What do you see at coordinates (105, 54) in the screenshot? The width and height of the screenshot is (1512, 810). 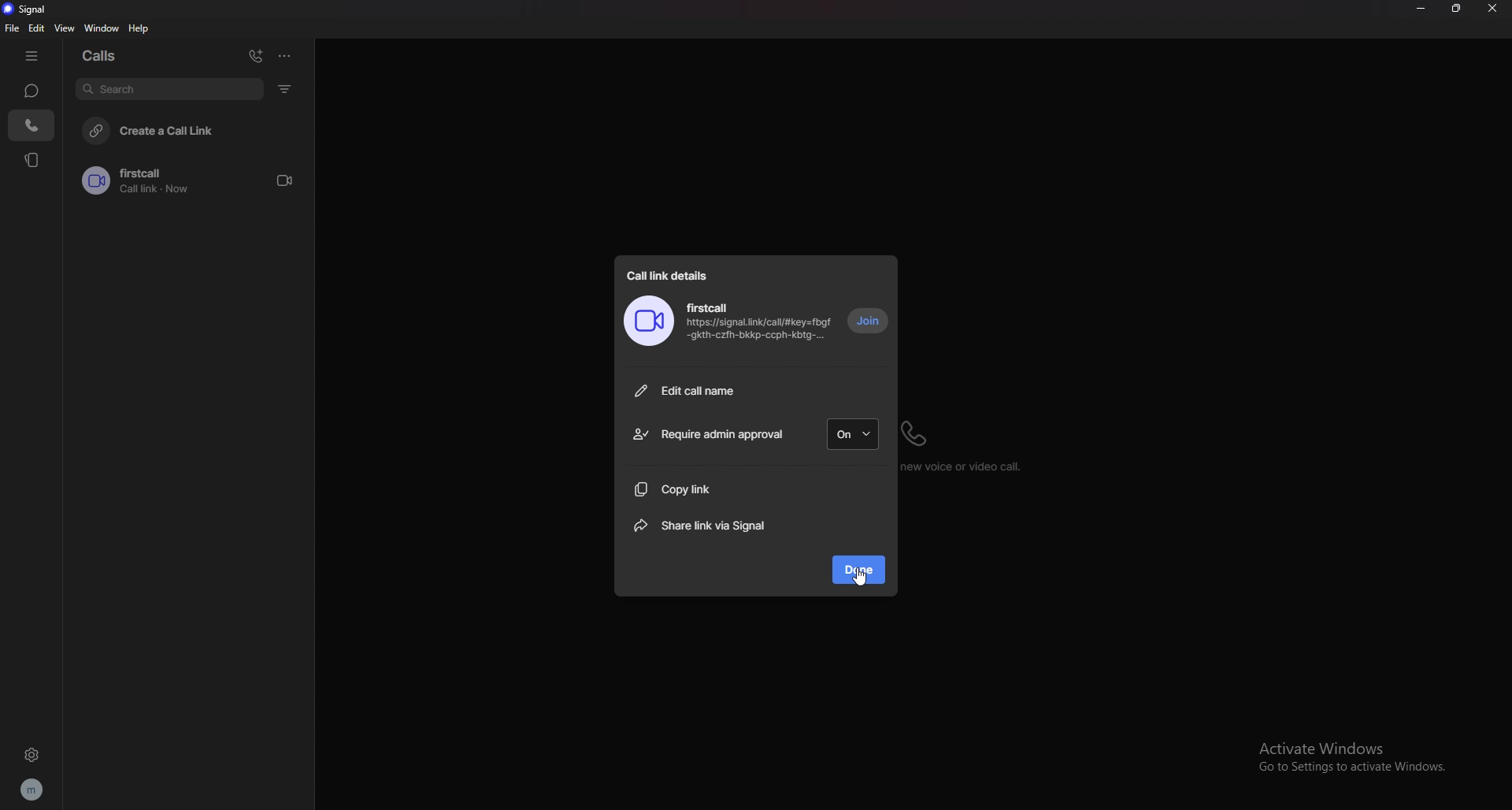 I see `calls` at bounding box center [105, 54].